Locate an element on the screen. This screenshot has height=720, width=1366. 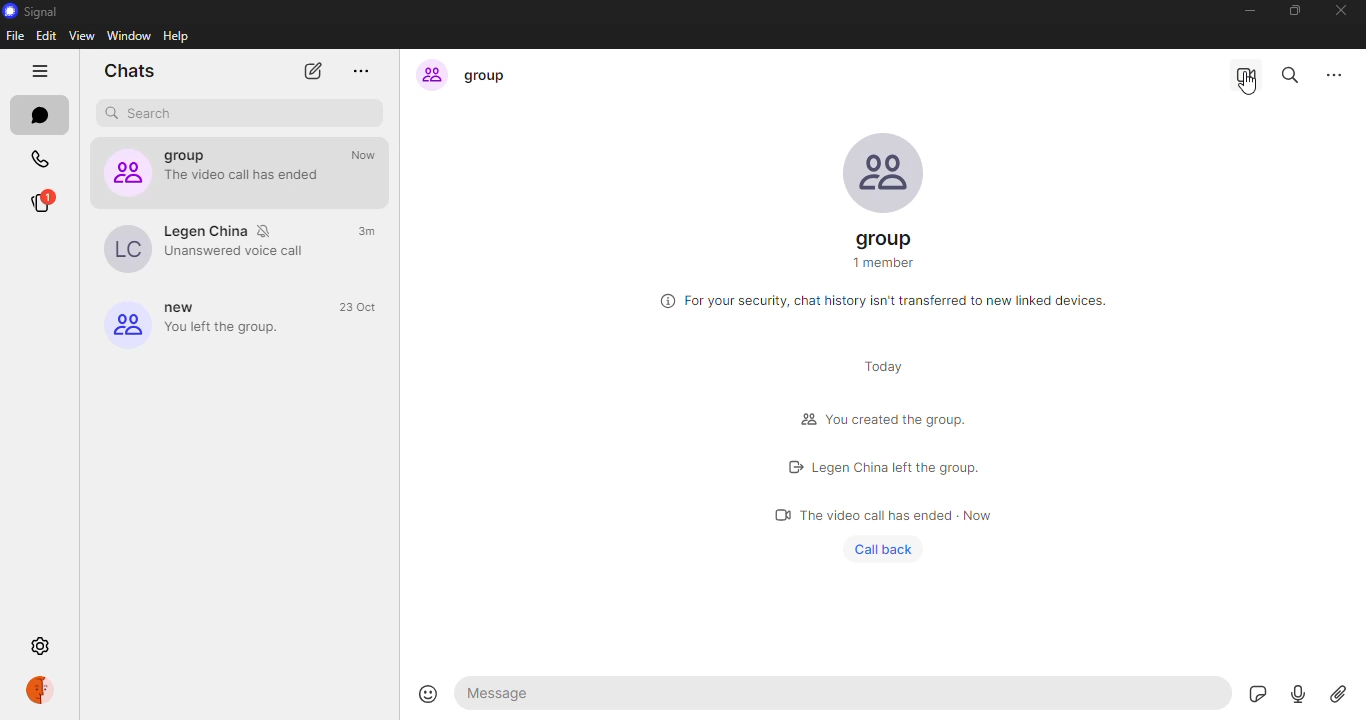
logo is located at coordinates (802, 419).